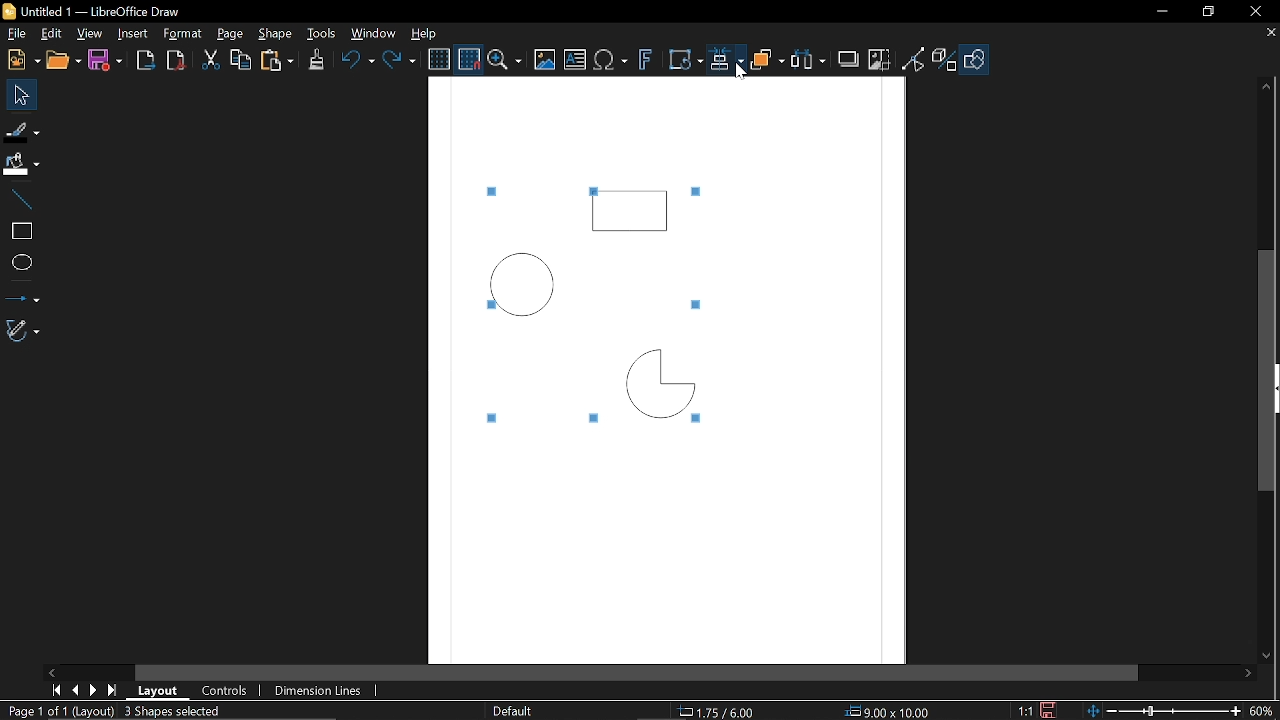 The width and height of the screenshot is (1280, 720). I want to click on FiIl color, so click(22, 160).